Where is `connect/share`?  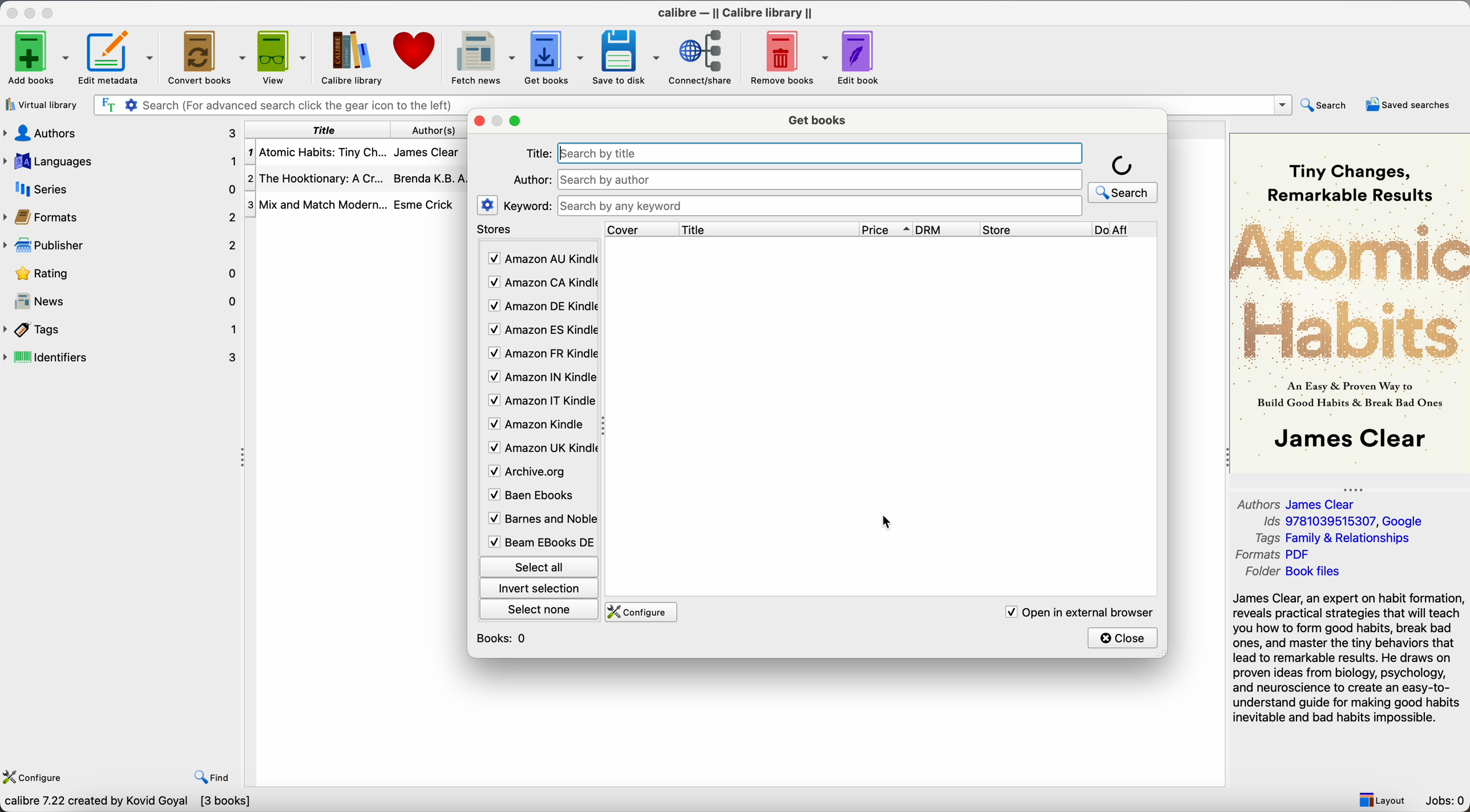
connect/share is located at coordinates (702, 58).